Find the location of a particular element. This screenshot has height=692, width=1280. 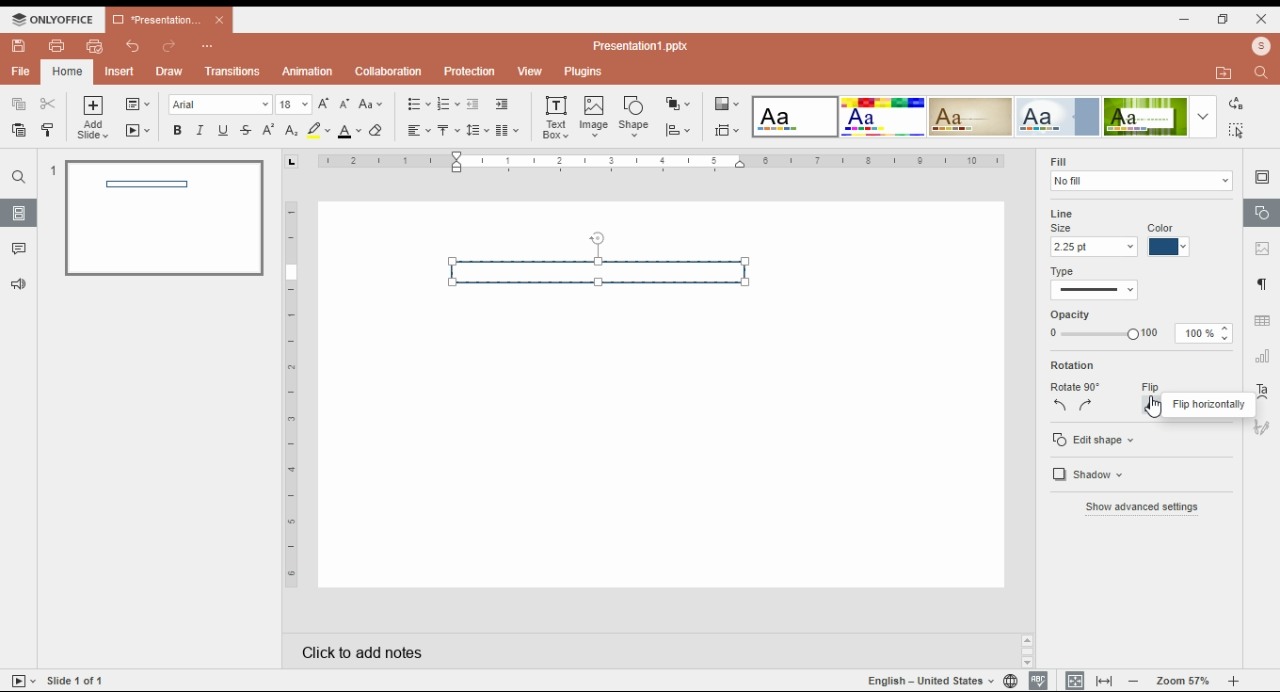

copy style is located at coordinates (47, 129).